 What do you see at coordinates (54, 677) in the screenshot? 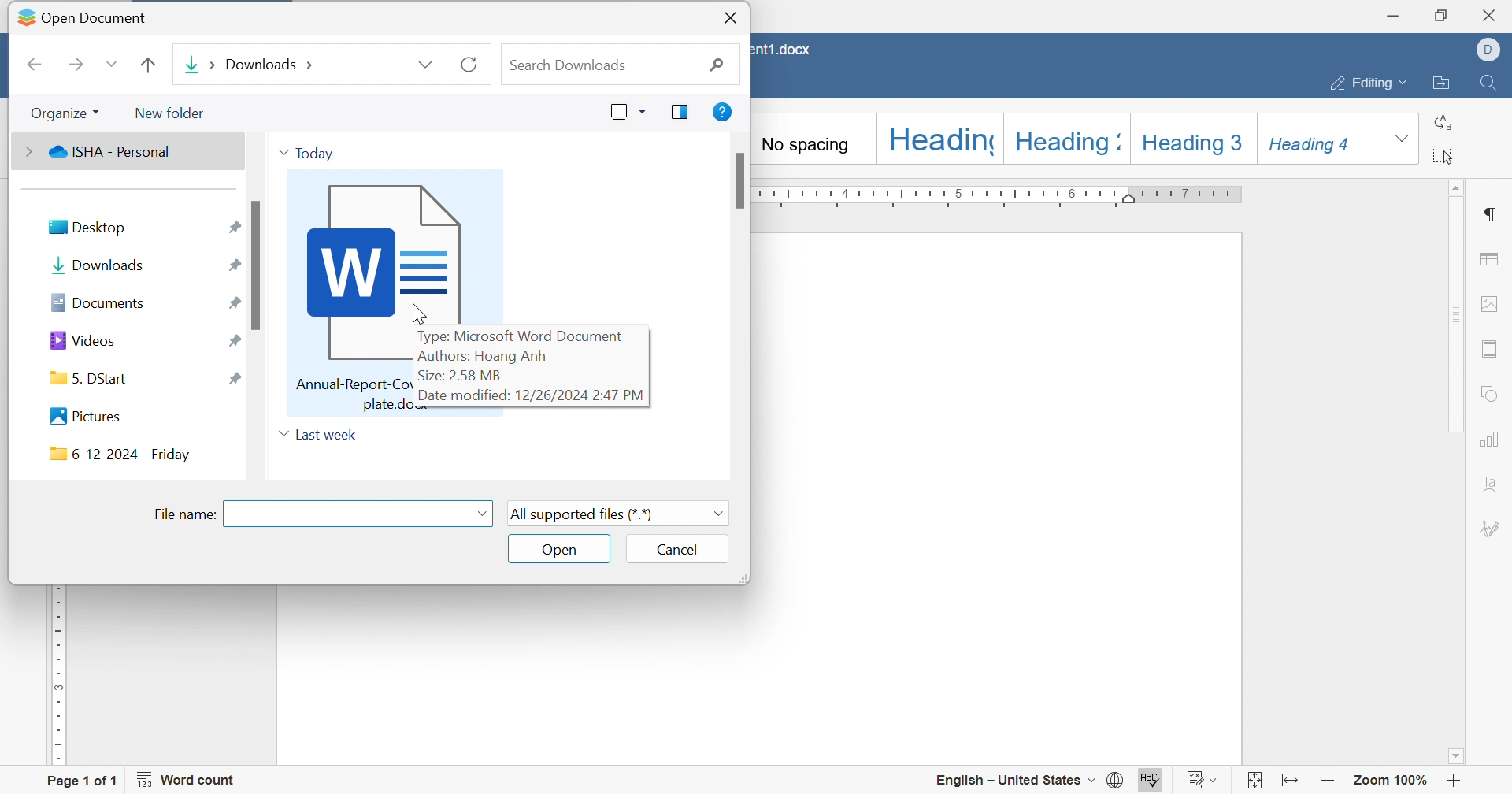
I see `Vertical ruler ` at bounding box center [54, 677].